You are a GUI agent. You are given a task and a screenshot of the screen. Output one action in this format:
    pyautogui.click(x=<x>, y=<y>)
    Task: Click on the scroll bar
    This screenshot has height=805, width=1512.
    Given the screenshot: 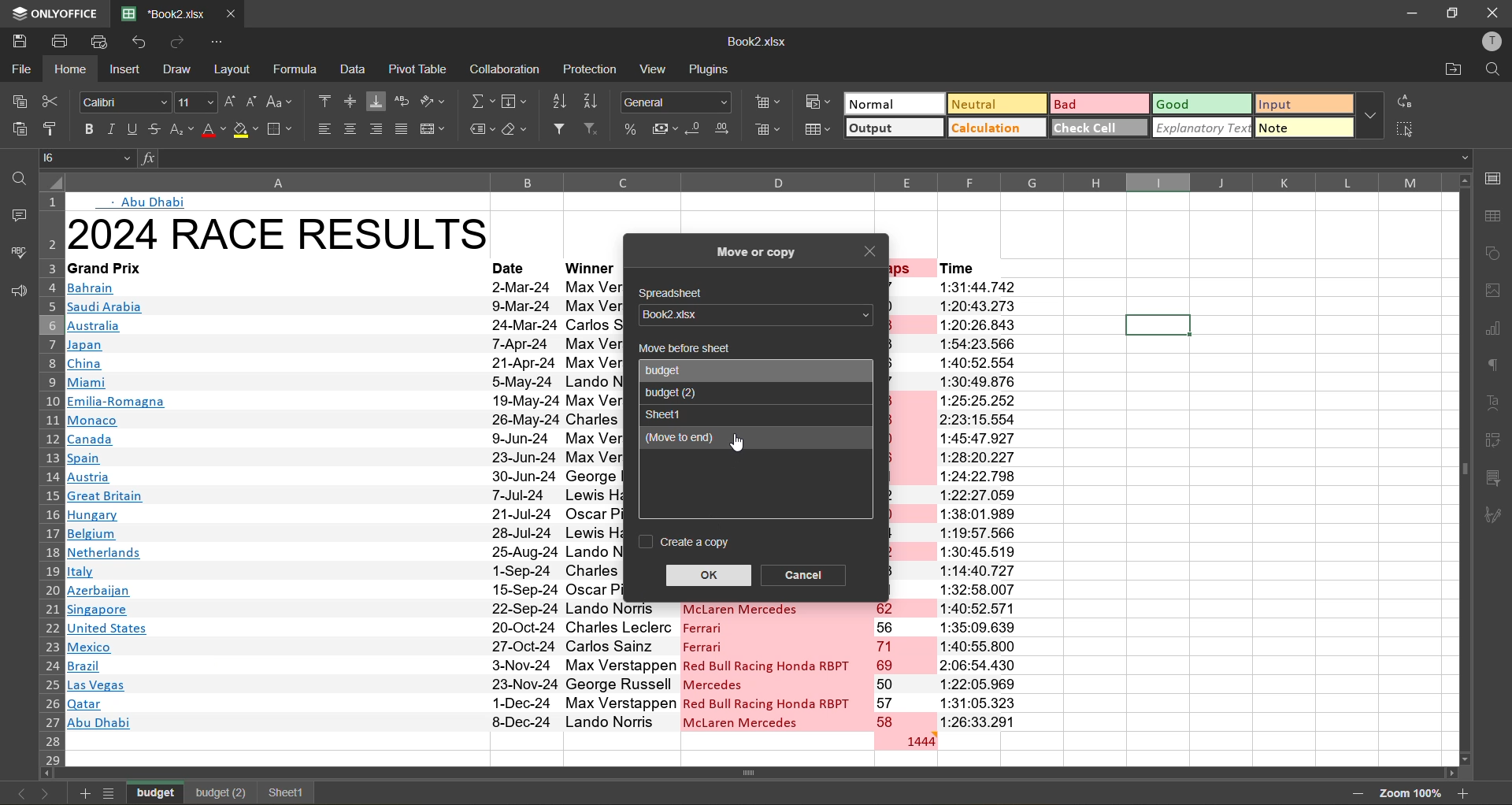 What is the action you would take?
    pyautogui.click(x=1464, y=395)
    